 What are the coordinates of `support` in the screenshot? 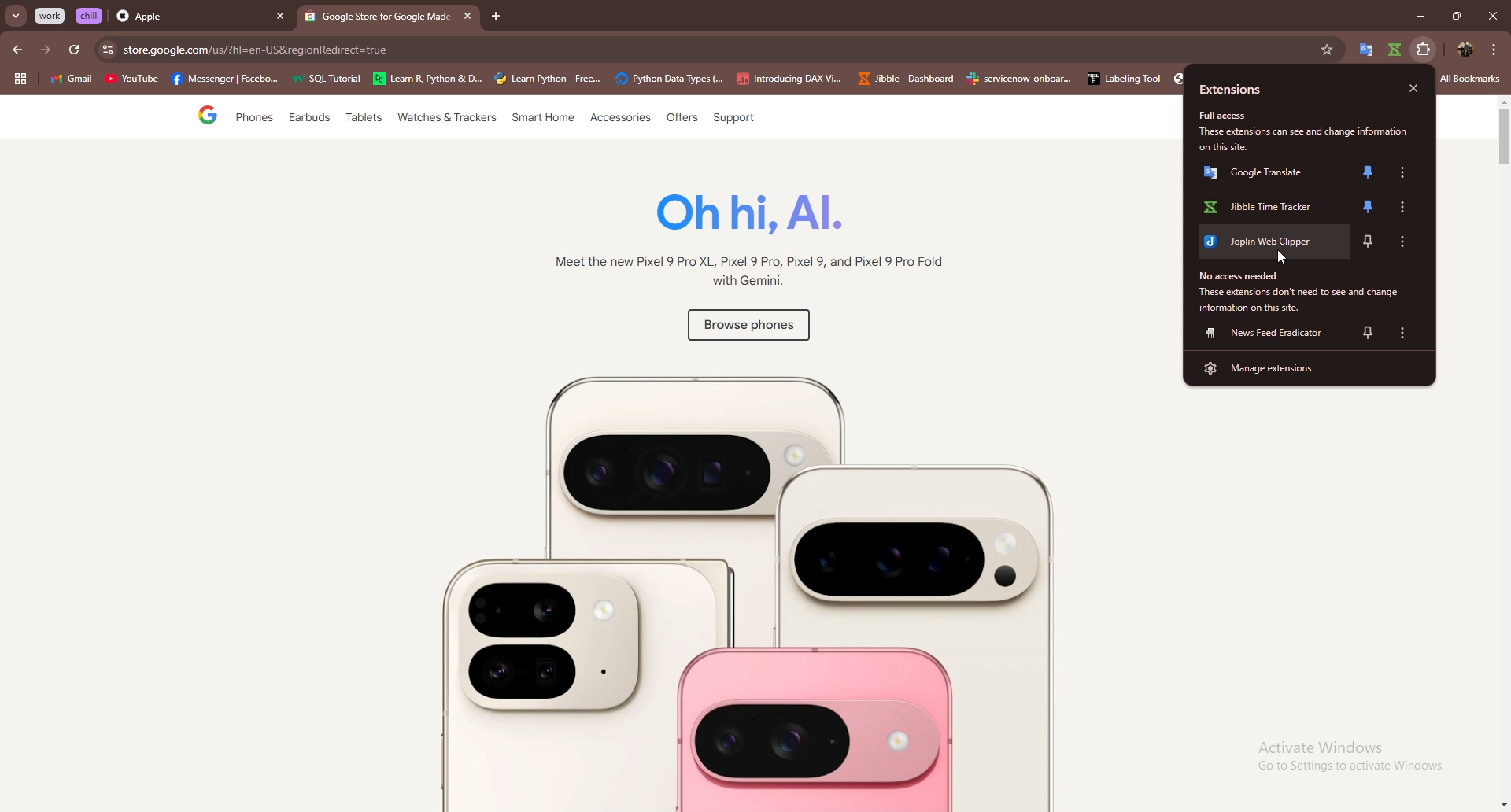 It's located at (733, 119).